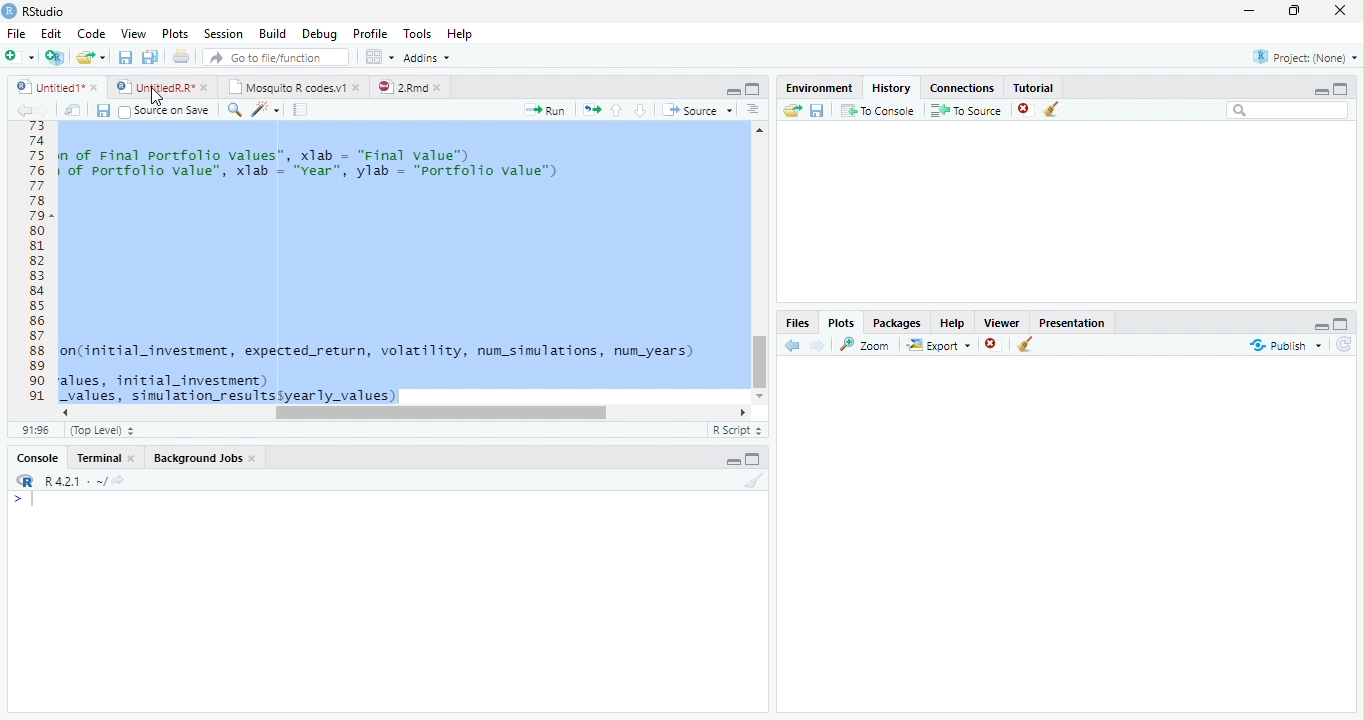 The image size is (1364, 720). Describe the element at coordinates (1288, 110) in the screenshot. I see `Search` at that location.